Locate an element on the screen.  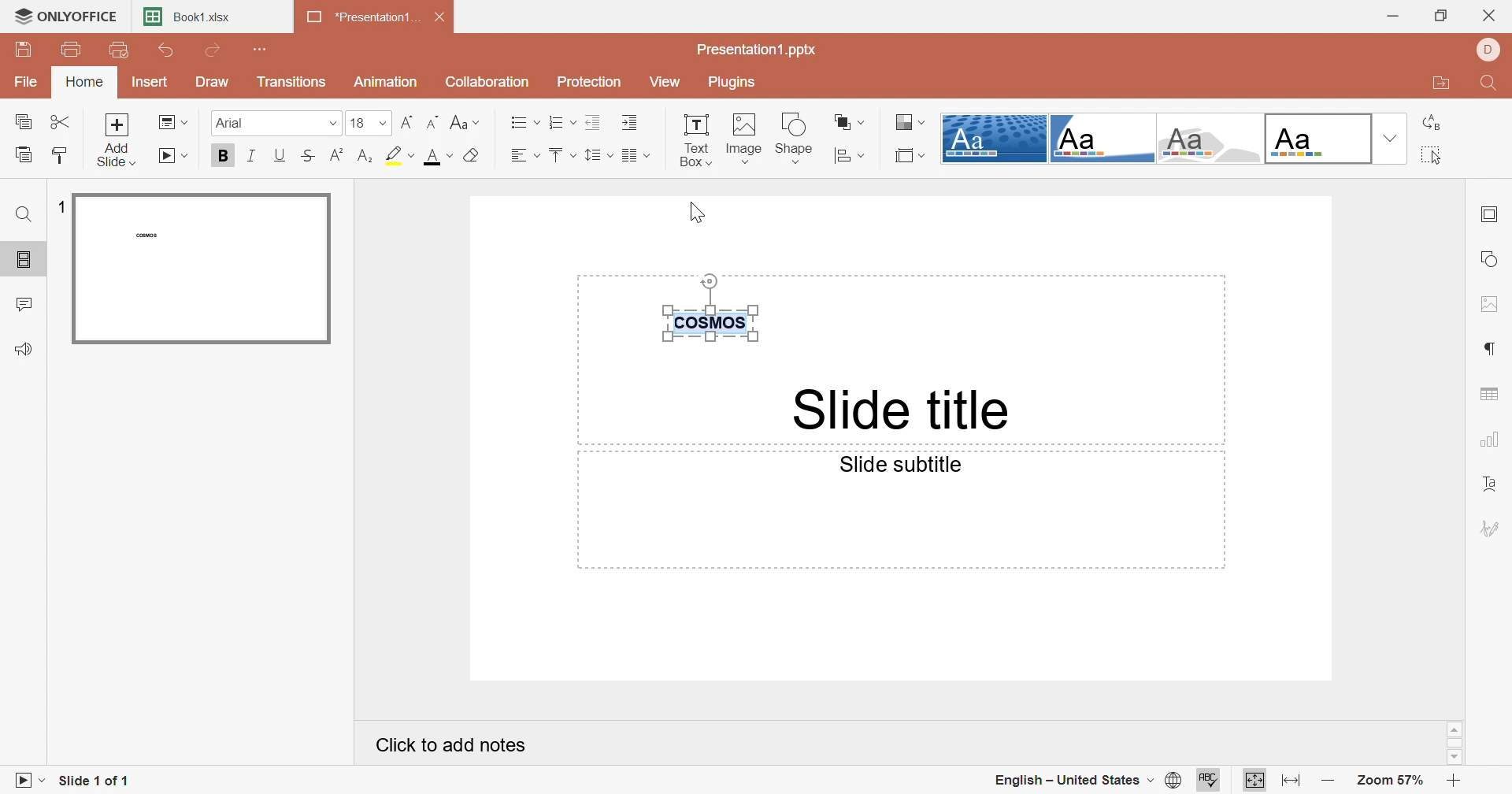
Restore down is located at coordinates (1446, 15).